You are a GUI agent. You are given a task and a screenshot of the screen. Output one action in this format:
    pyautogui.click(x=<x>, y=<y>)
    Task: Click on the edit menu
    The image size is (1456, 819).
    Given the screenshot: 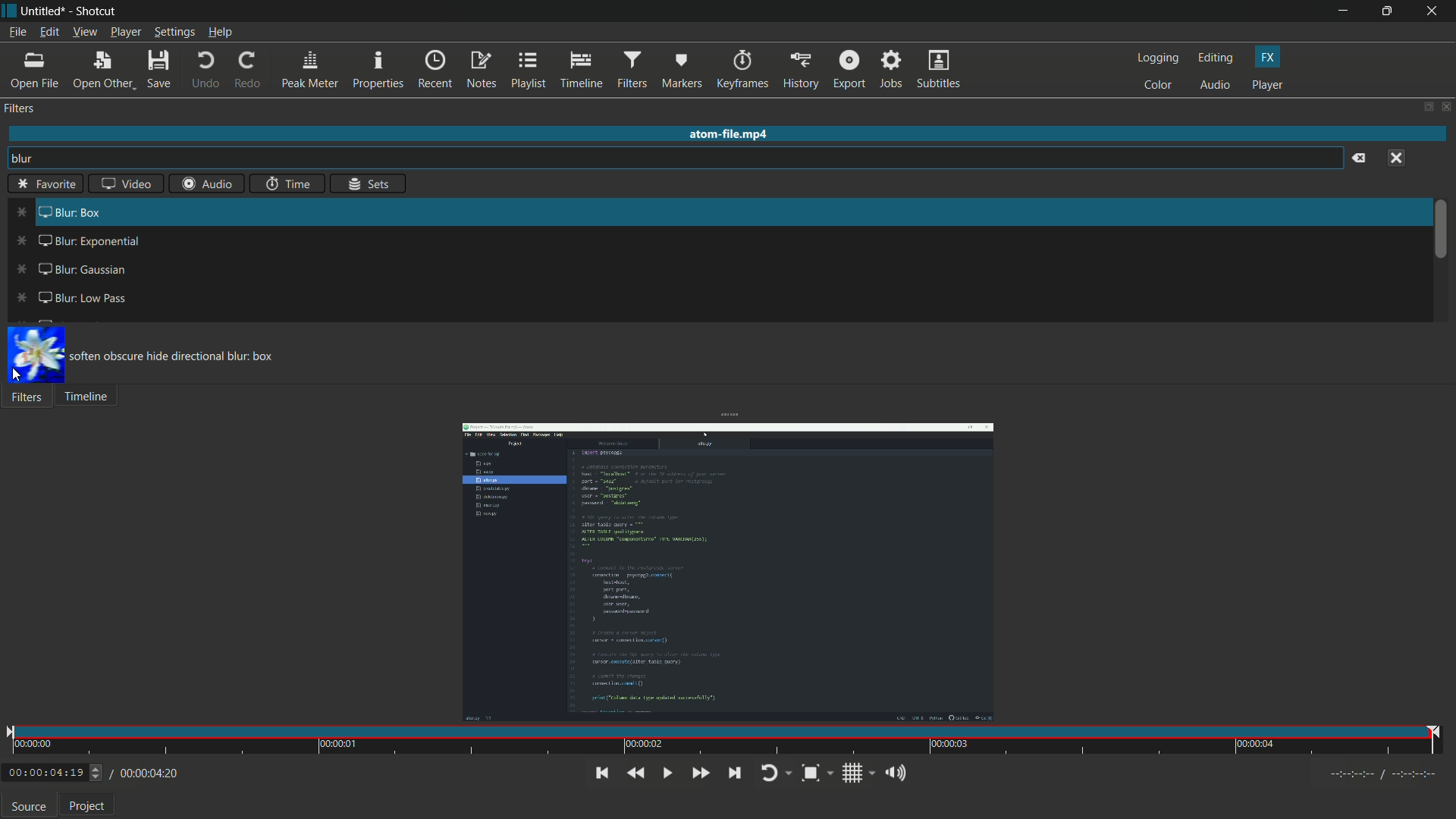 What is the action you would take?
    pyautogui.click(x=49, y=32)
    